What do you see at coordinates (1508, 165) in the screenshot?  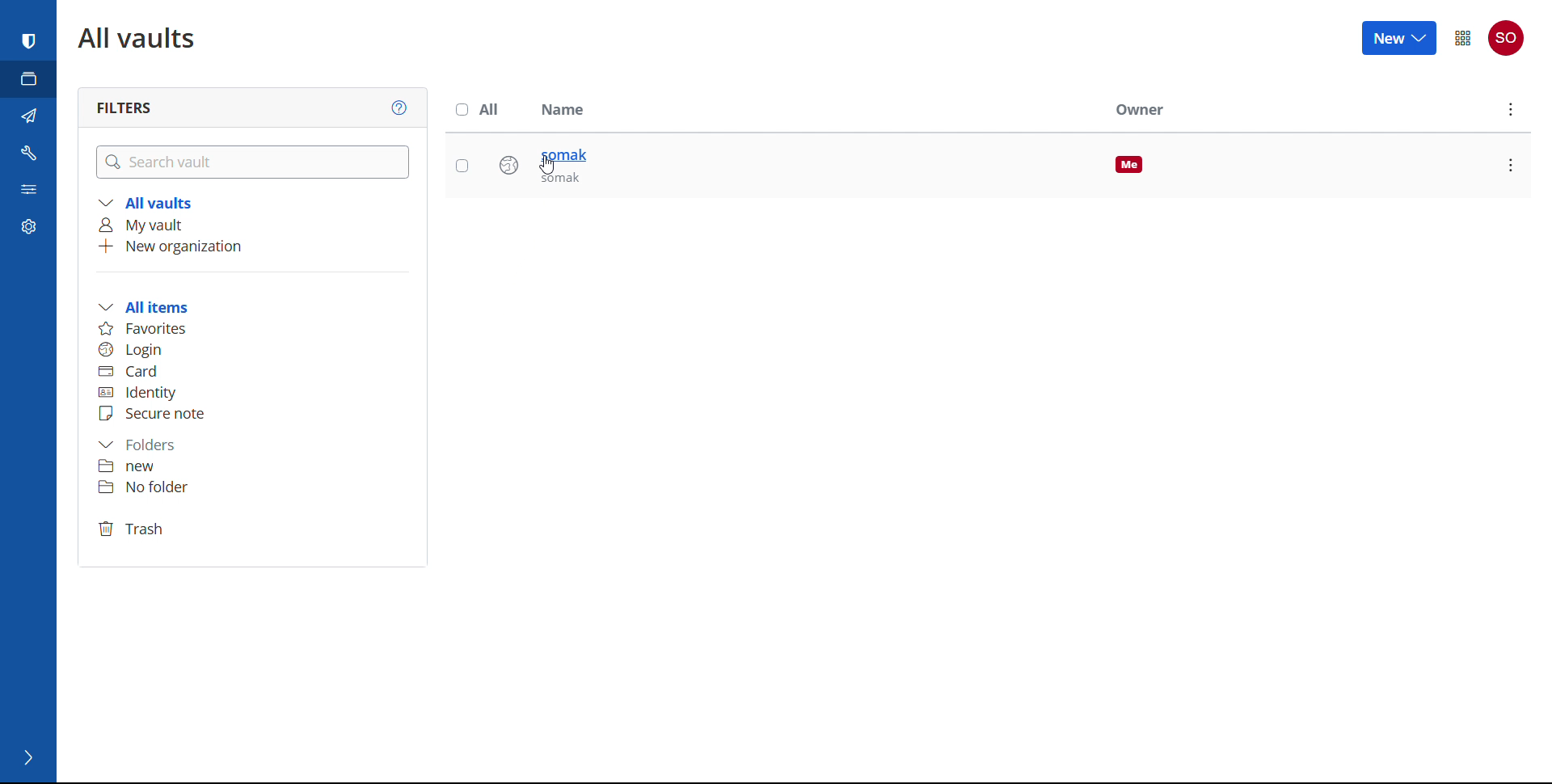 I see `options` at bounding box center [1508, 165].